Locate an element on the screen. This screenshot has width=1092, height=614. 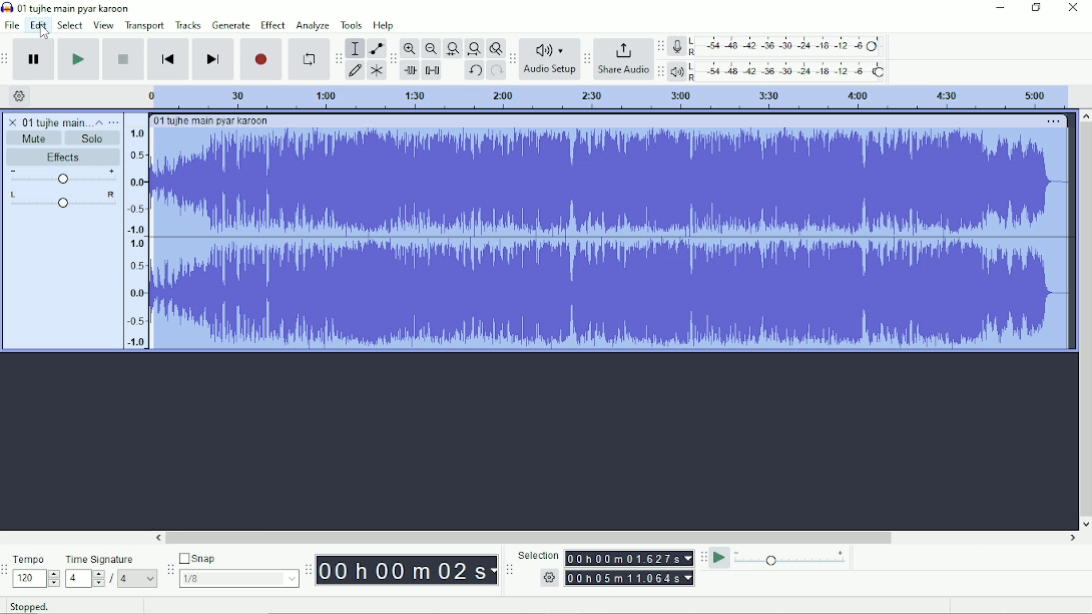
/ is located at coordinates (113, 581).